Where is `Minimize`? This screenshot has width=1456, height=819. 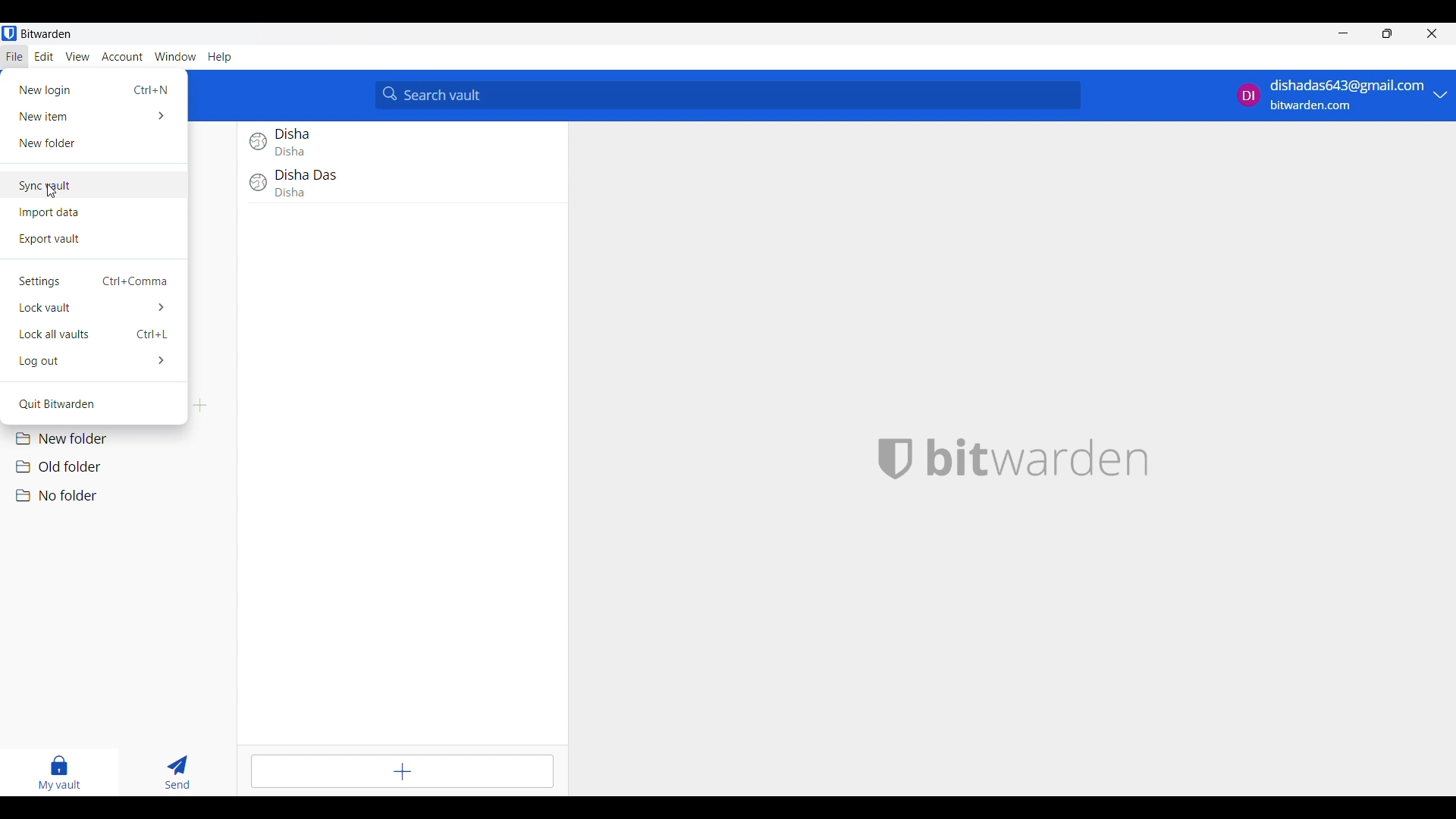 Minimize is located at coordinates (1344, 33).